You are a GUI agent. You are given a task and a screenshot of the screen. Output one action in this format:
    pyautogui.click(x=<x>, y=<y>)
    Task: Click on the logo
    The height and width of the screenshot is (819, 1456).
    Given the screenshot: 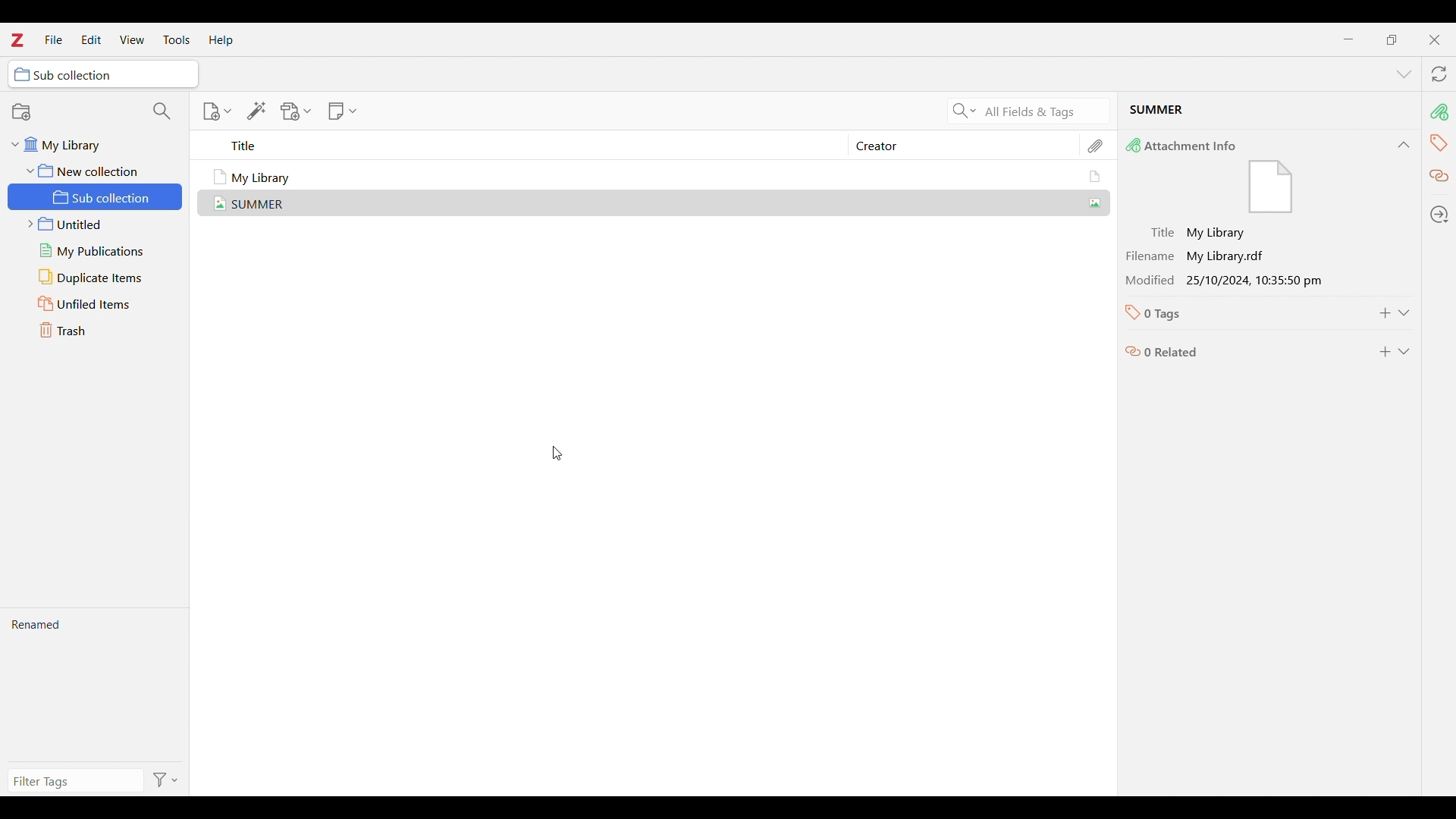 What is the action you would take?
    pyautogui.click(x=17, y=39)
    